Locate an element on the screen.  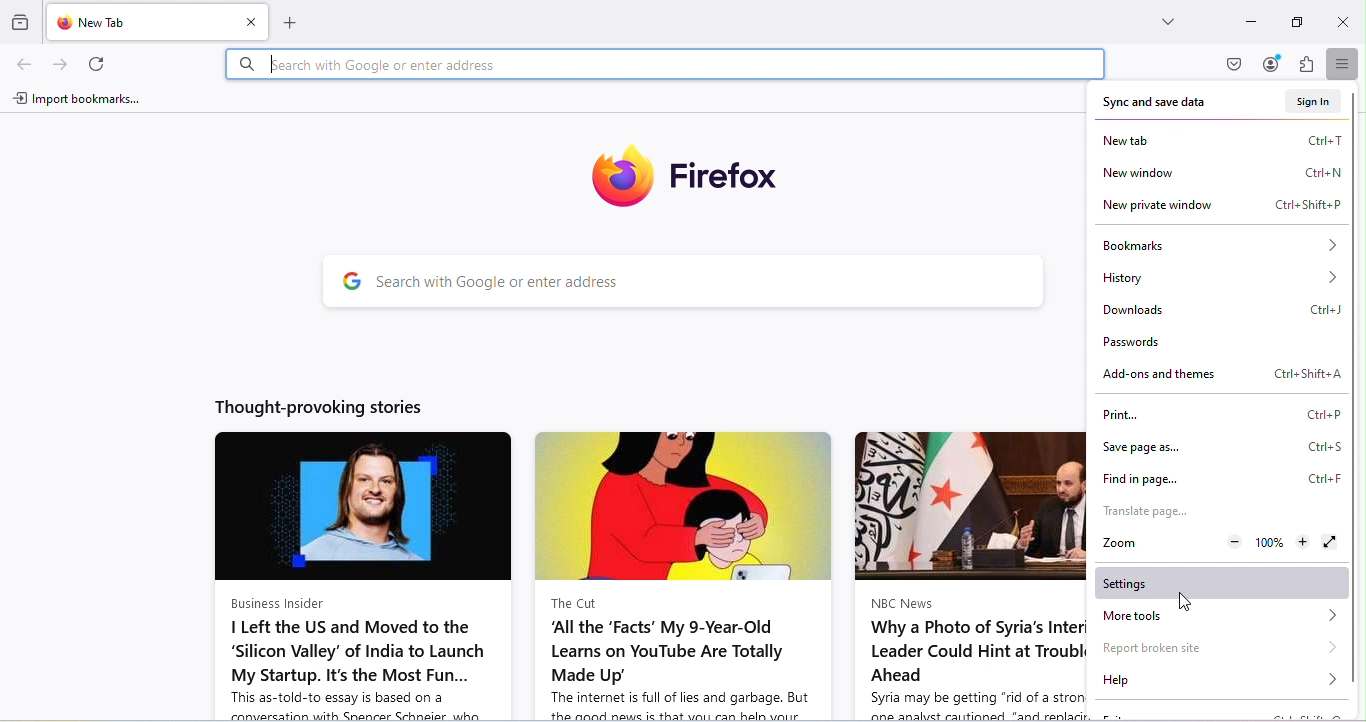
Zoom out is located at coordinates (1235, 544).